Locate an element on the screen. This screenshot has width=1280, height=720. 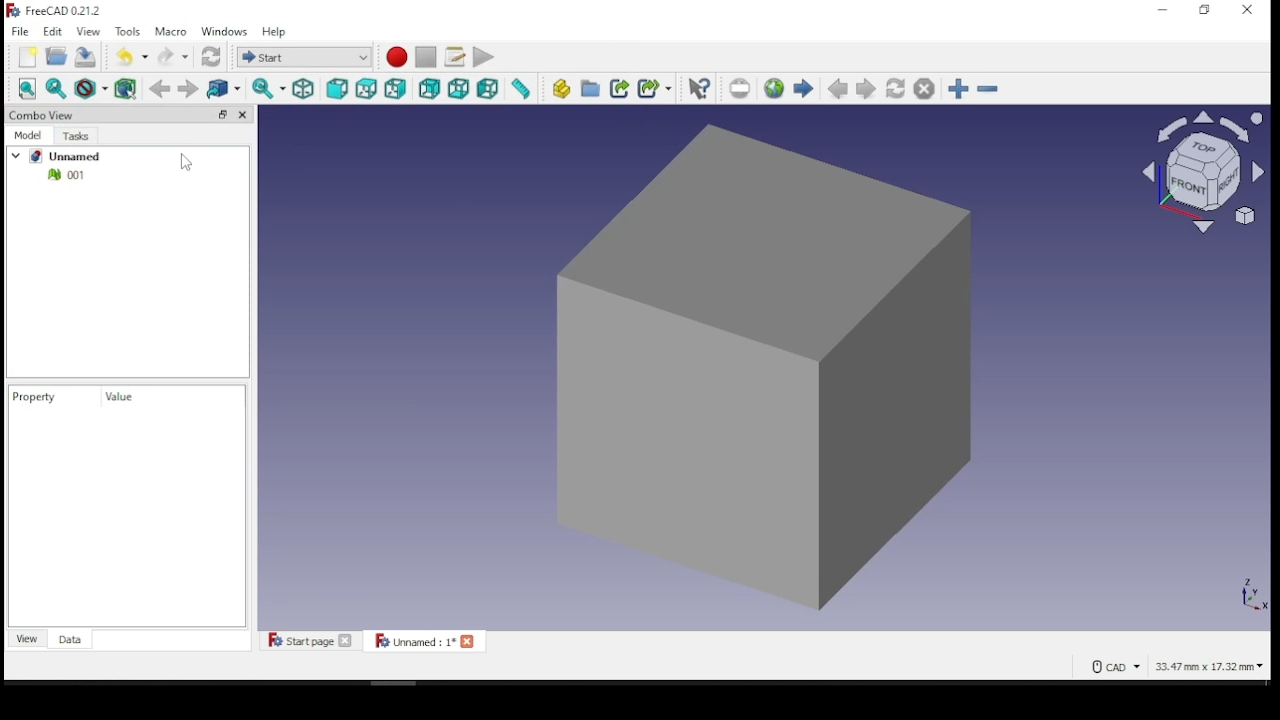
zoom out is located at coordinates (987, 87).